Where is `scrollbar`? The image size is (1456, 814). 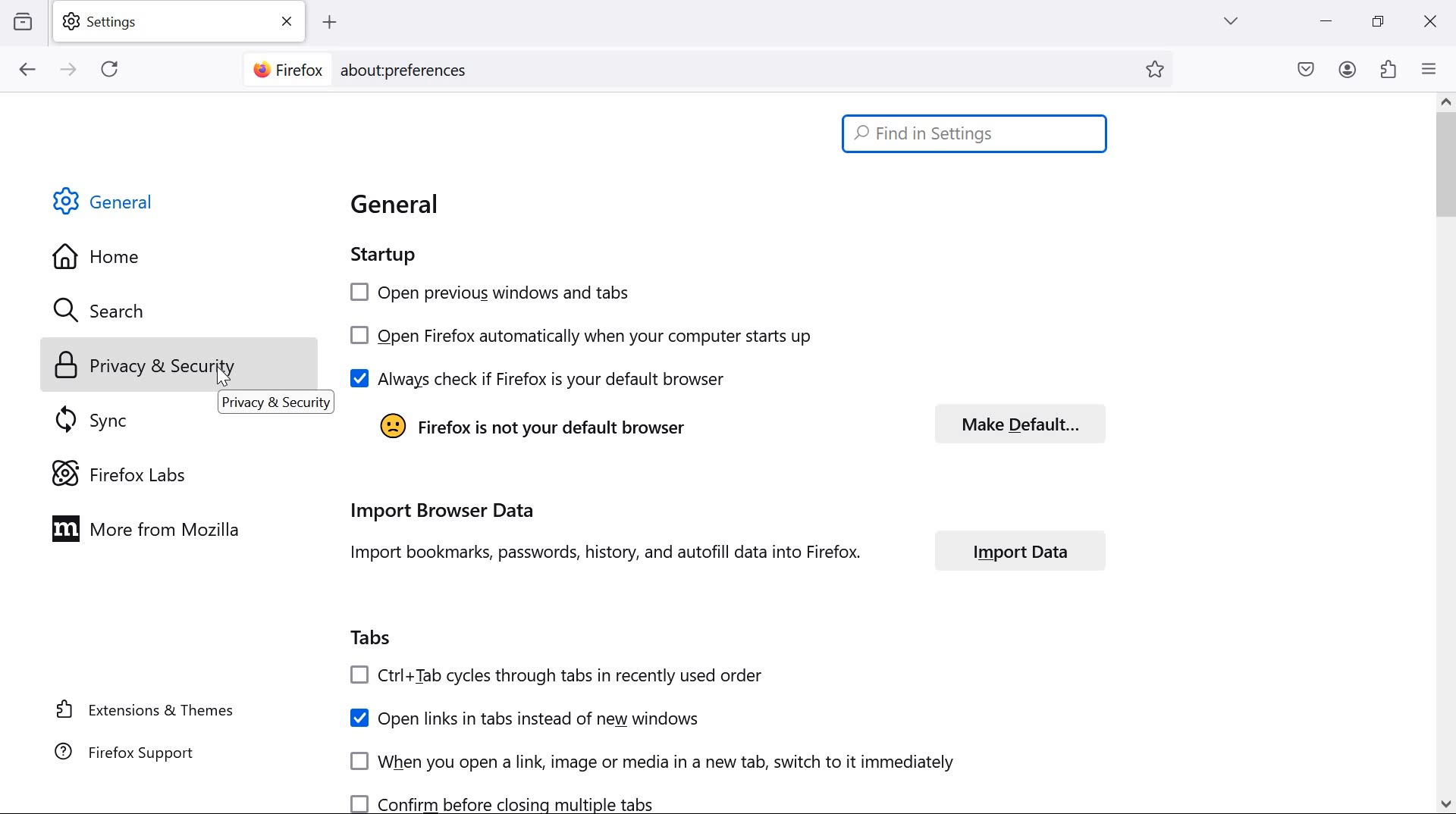
scrollbar is located at coordinates (1447, 453).